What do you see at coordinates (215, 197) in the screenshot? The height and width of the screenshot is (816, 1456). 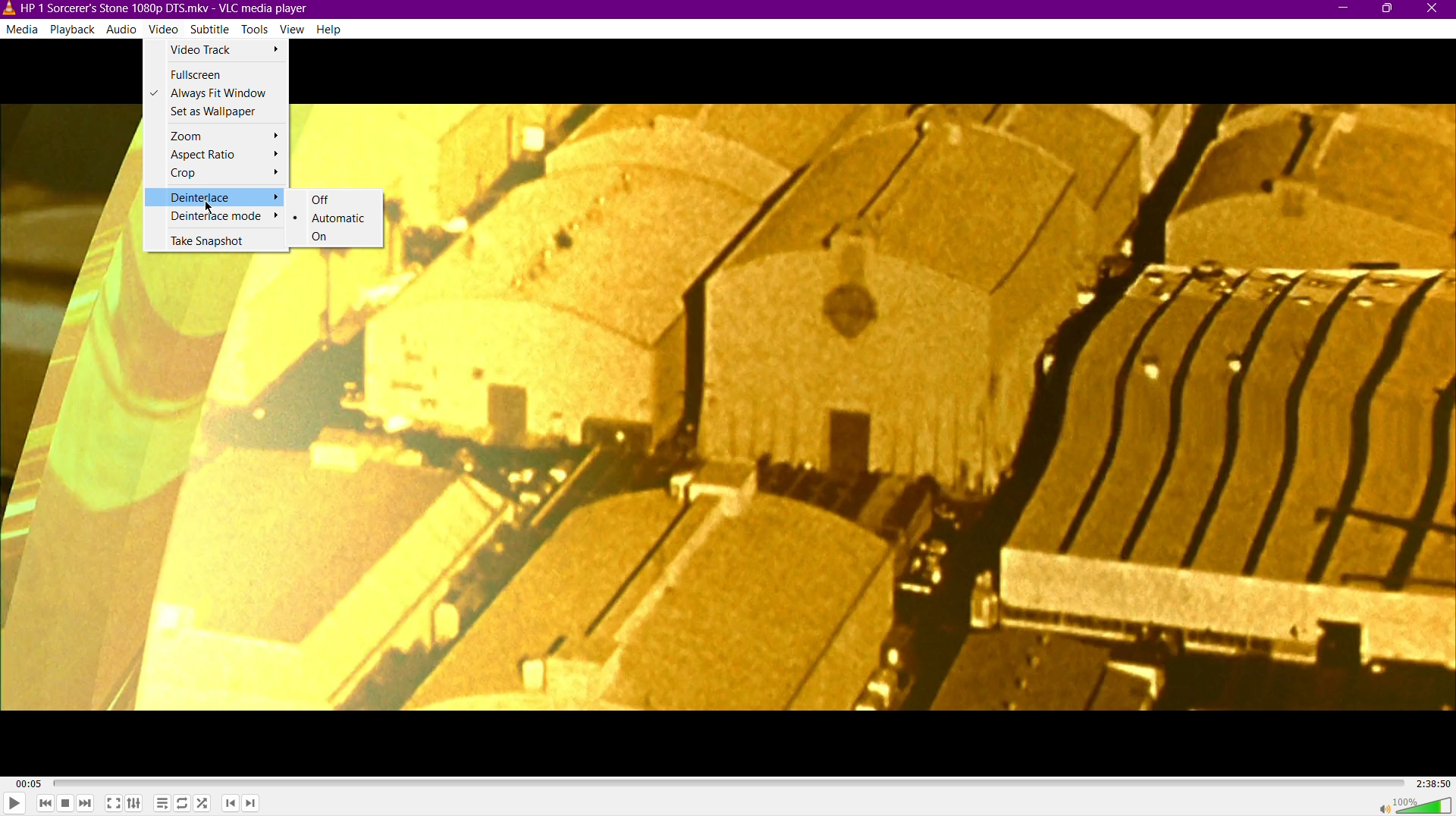 I see `Deinterlace` at bounding box center [215, 197].